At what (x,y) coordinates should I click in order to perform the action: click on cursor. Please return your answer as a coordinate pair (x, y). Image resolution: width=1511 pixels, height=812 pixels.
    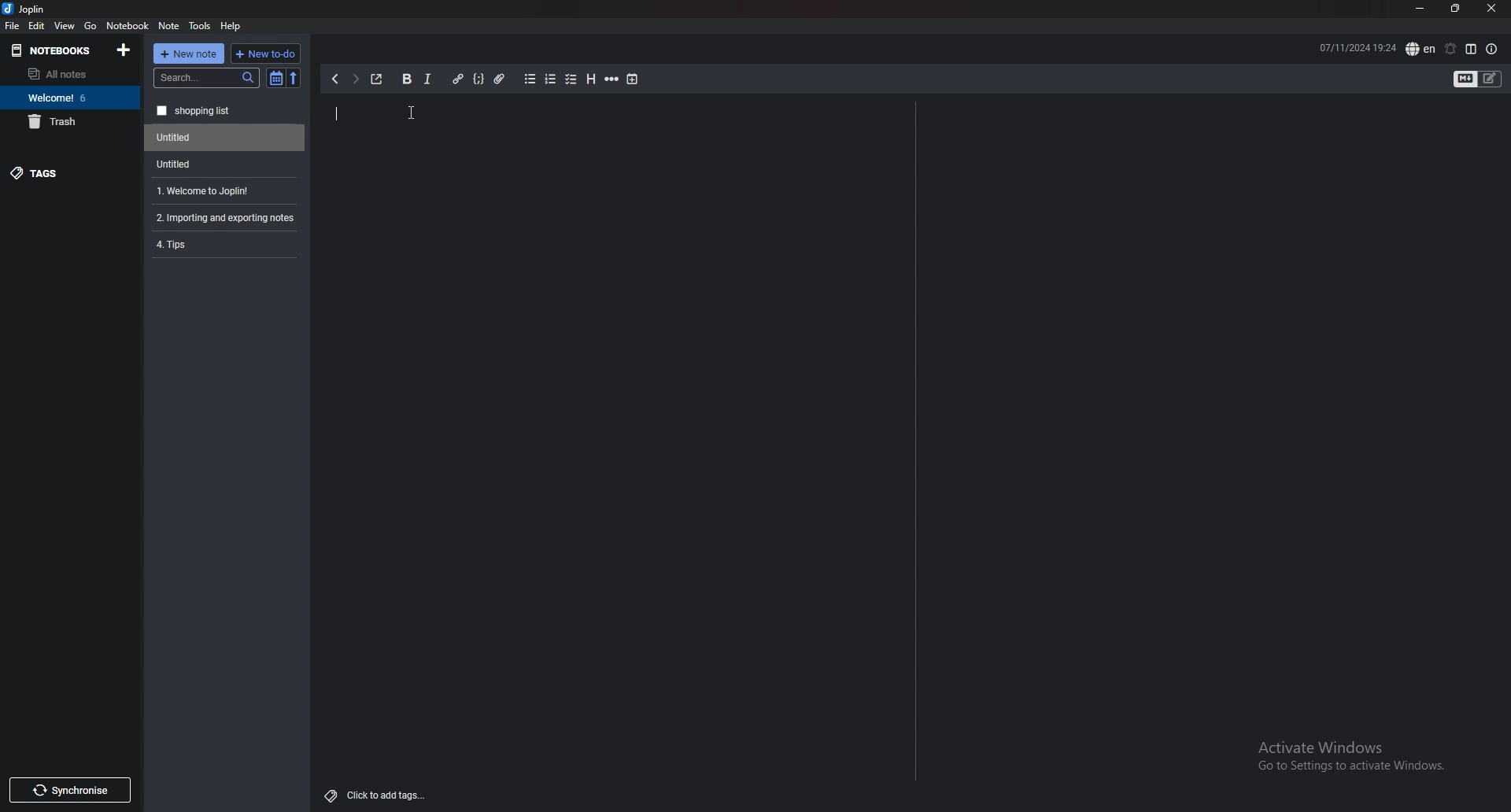
    Looking at the image, I should click on (413, 113).